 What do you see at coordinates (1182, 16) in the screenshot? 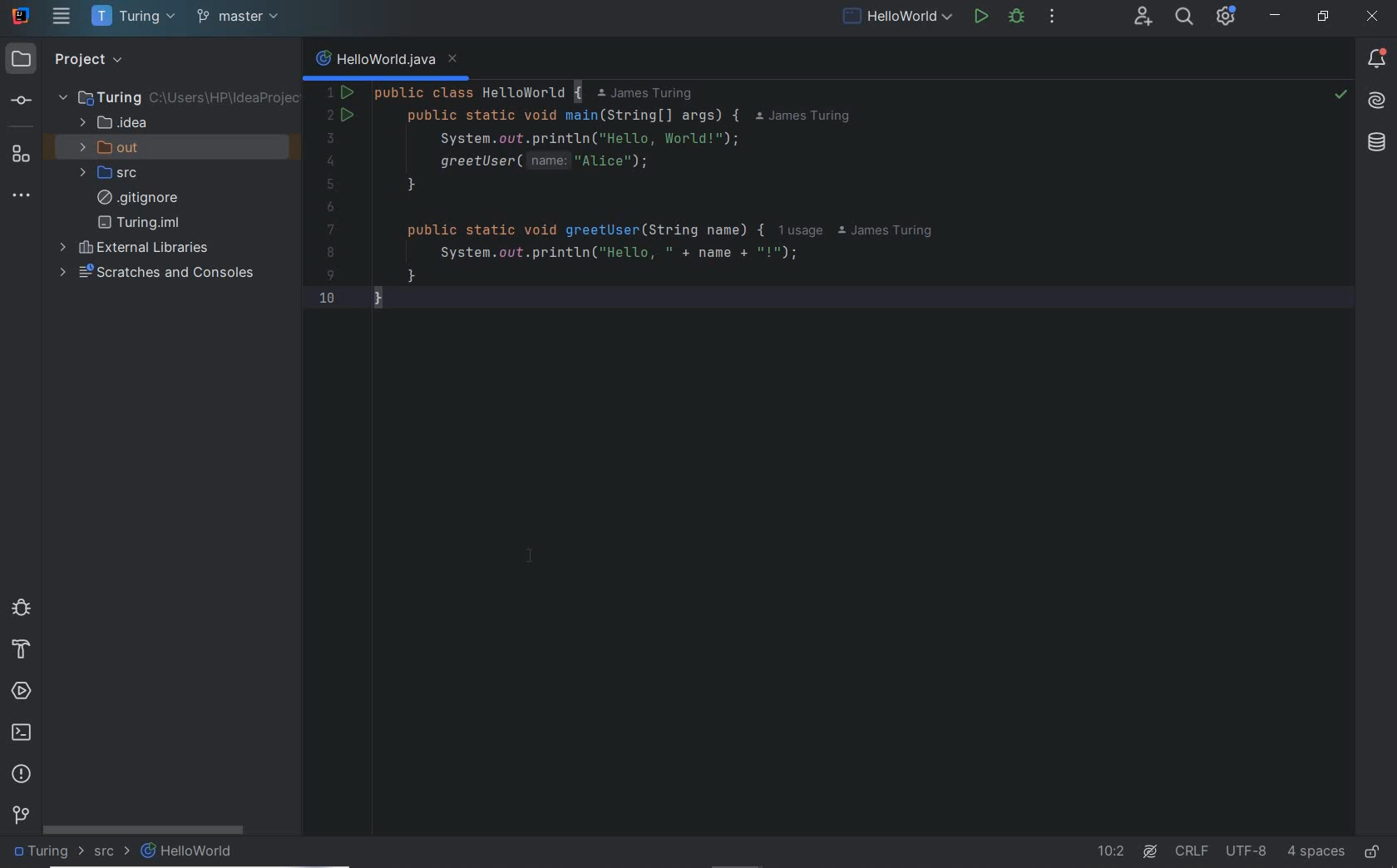
I see `SEARCH` at bounding box center [1182, 16].